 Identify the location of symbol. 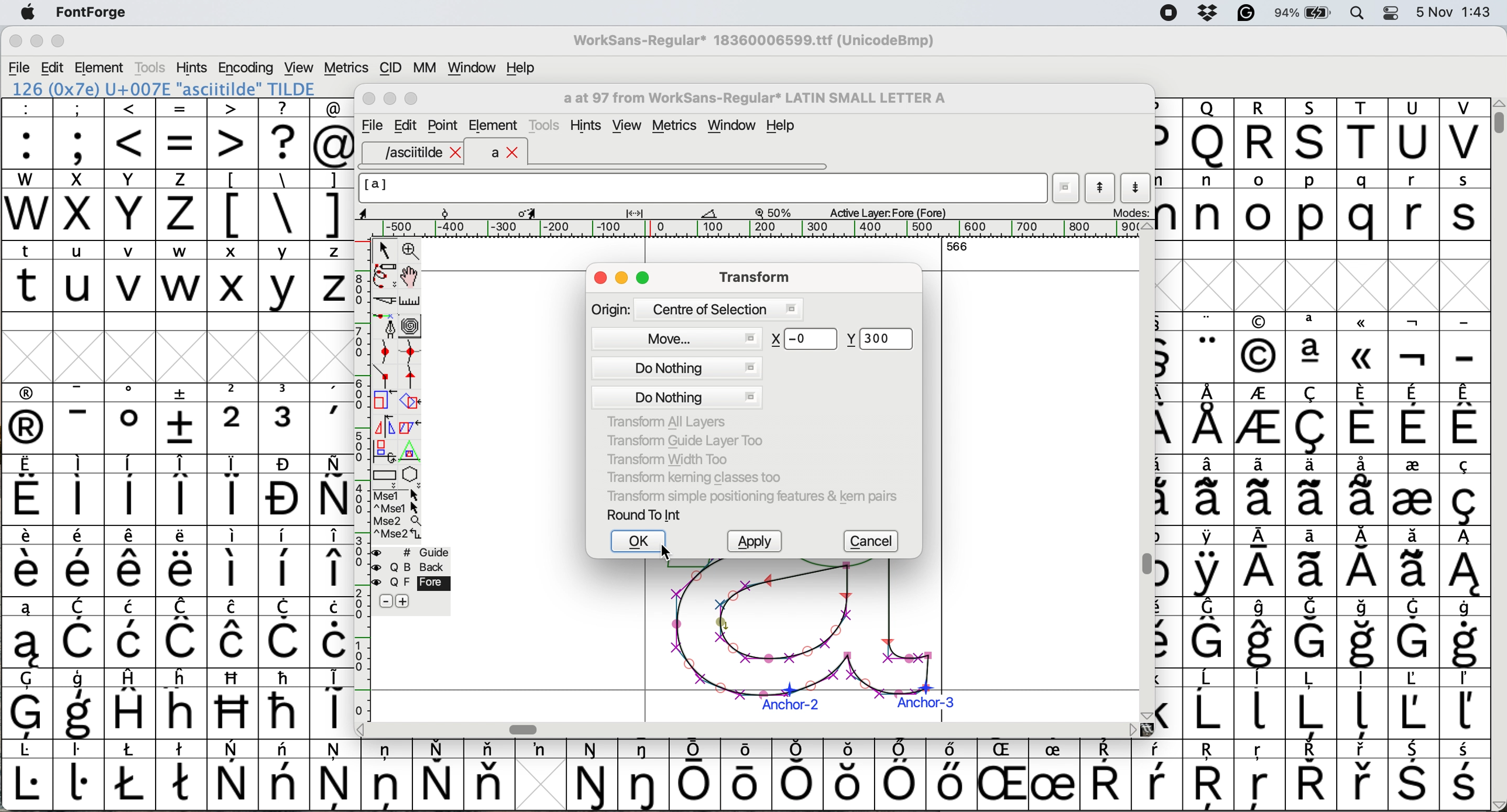
(286, 418).